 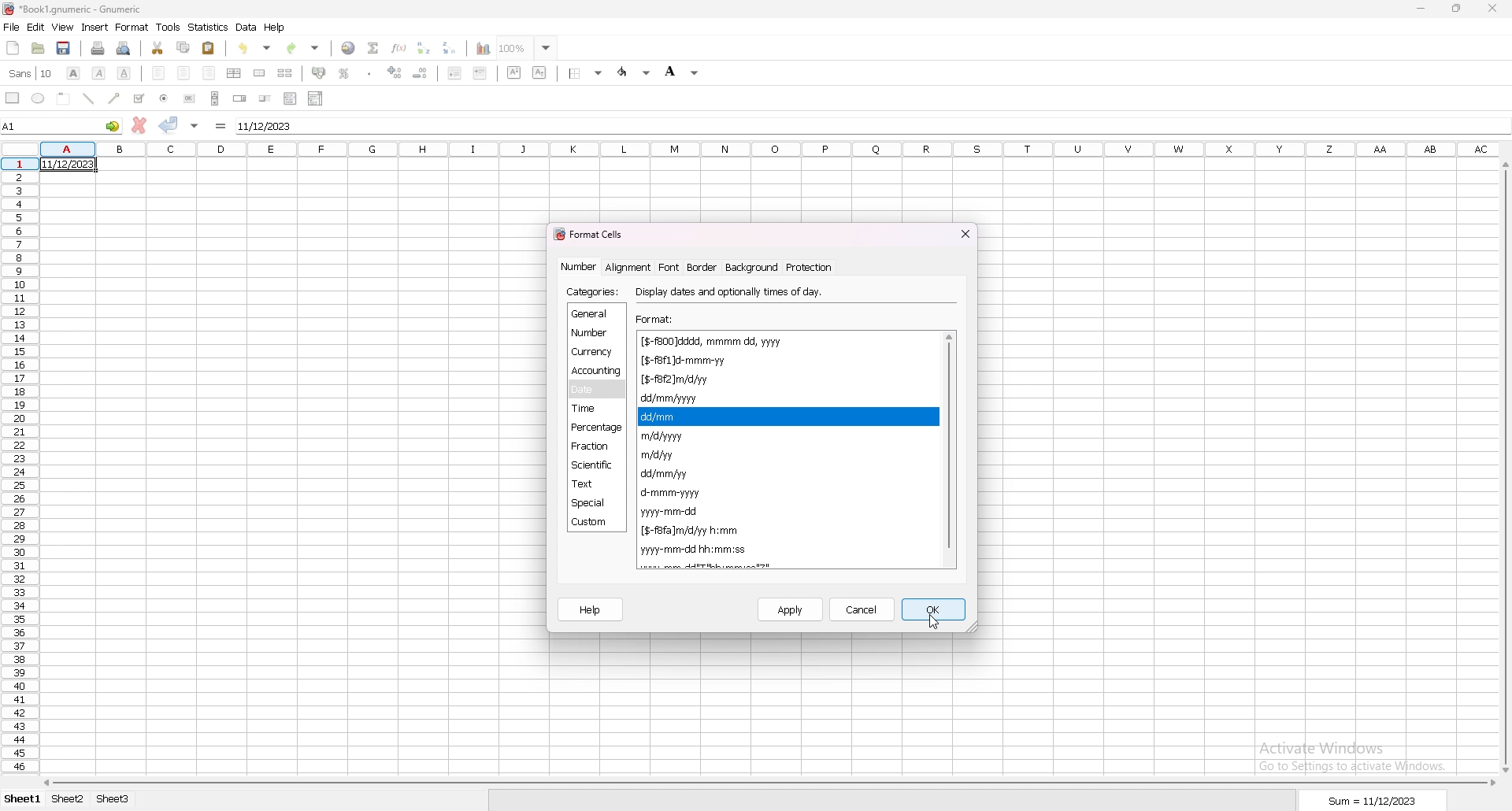 I want to click on percentage, so click(x=597, y=428).